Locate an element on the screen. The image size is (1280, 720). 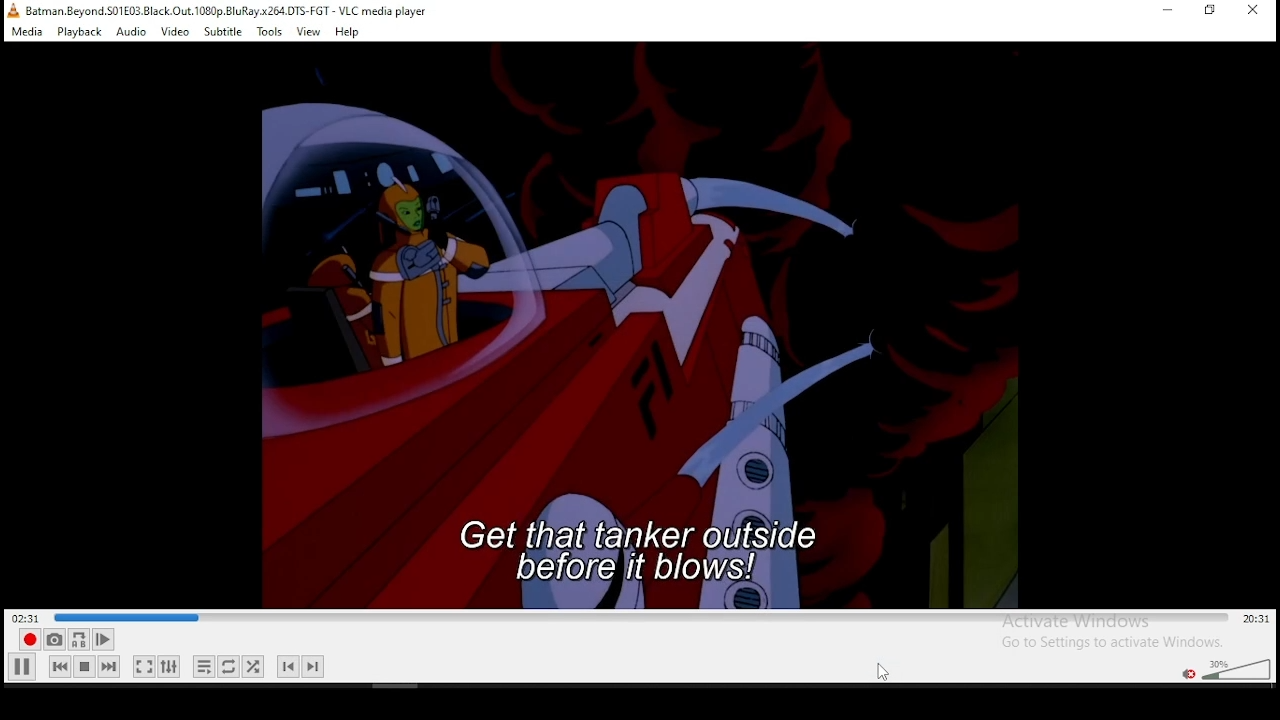
take a snapshot is located at coordinates (54, 639).